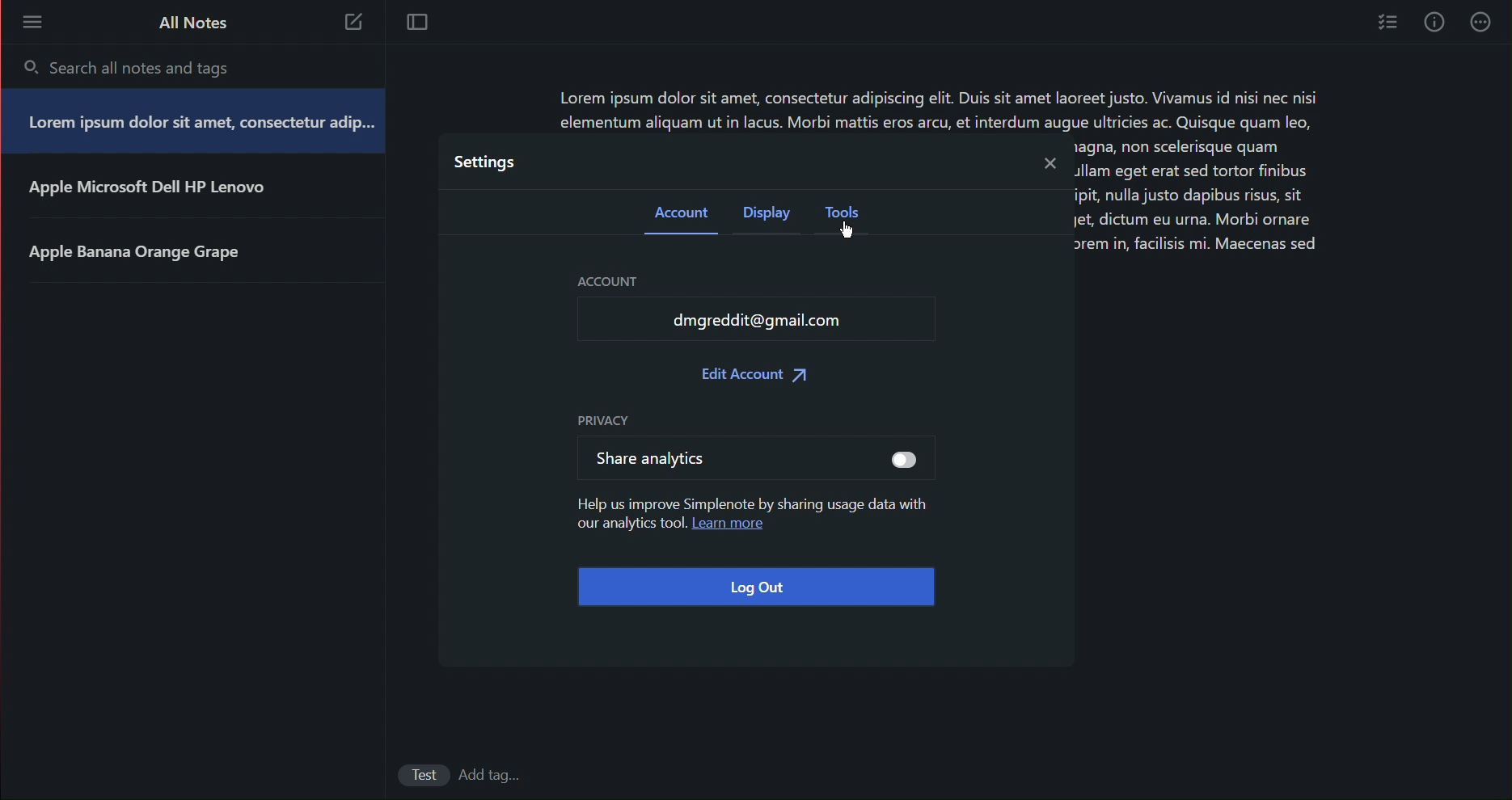 The height and width of the screenshot is (800, 1512). Describe the element at coordinates (847, 217) in the screenshot. I see `Tools` at that location.